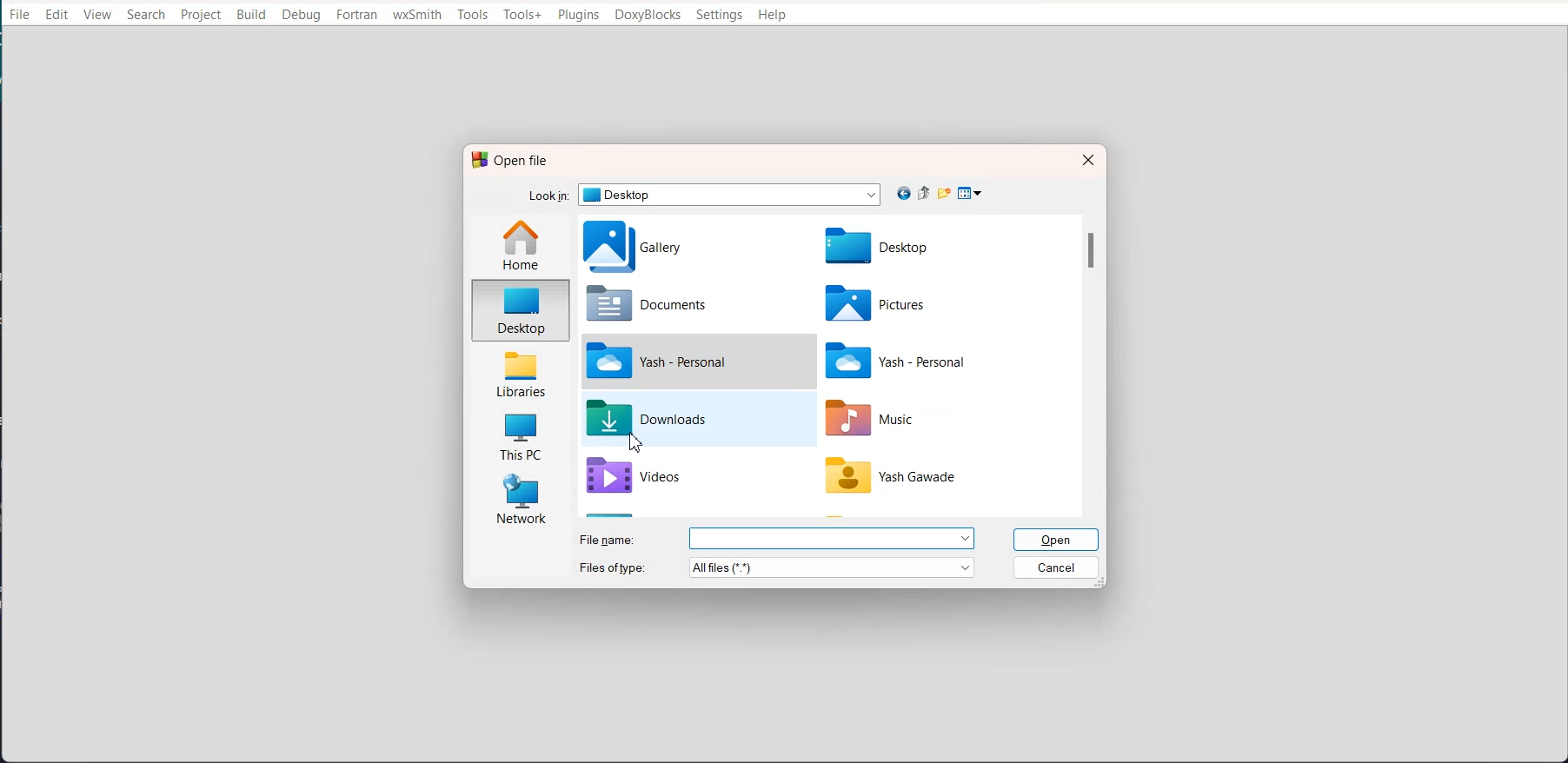  What do you see at coordinates (1059, 540) in the screenshot?
I see `Open` at bounding box center [1059, 540].